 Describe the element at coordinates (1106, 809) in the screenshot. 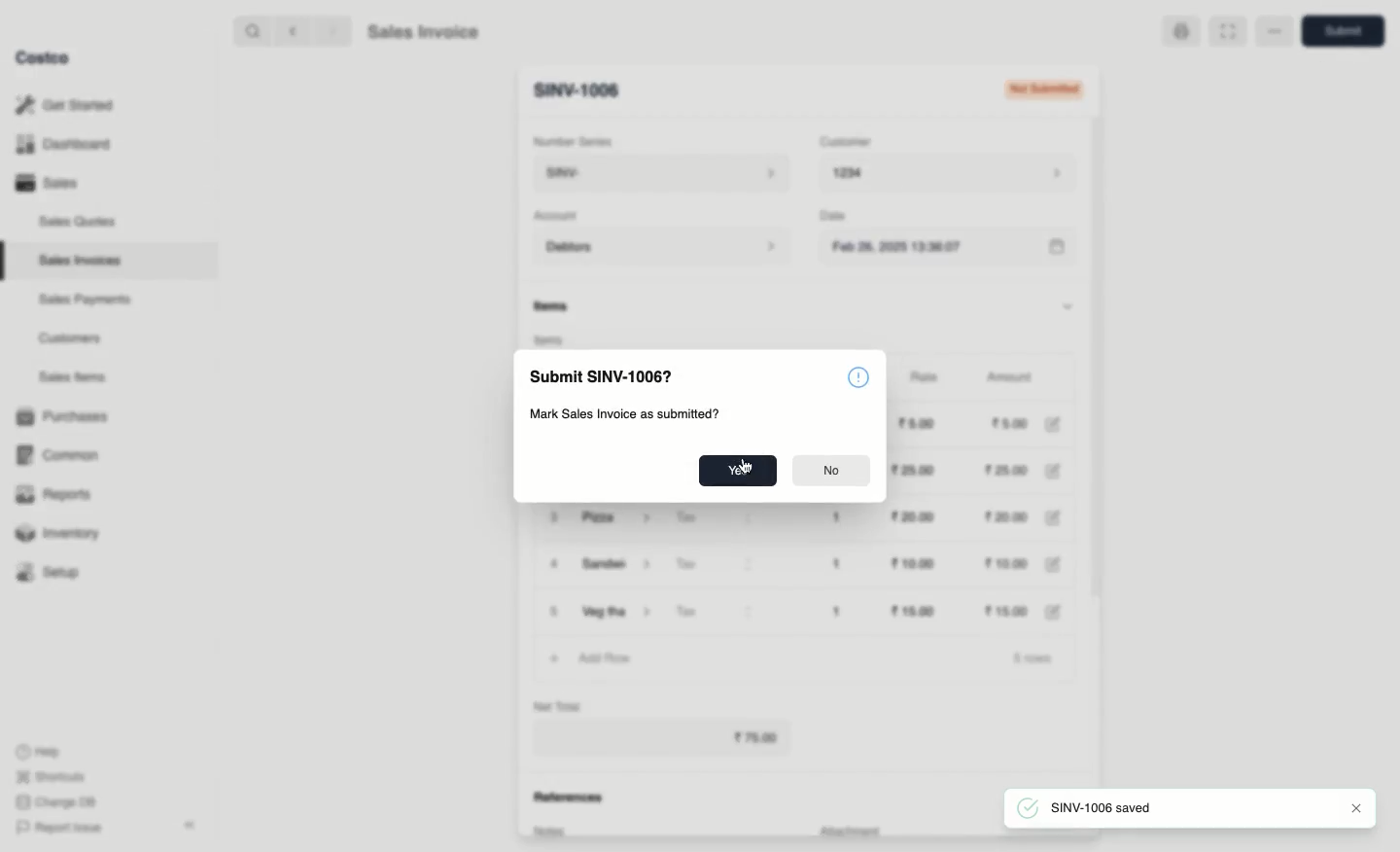

I see `SINV-1006 saved` at that location.